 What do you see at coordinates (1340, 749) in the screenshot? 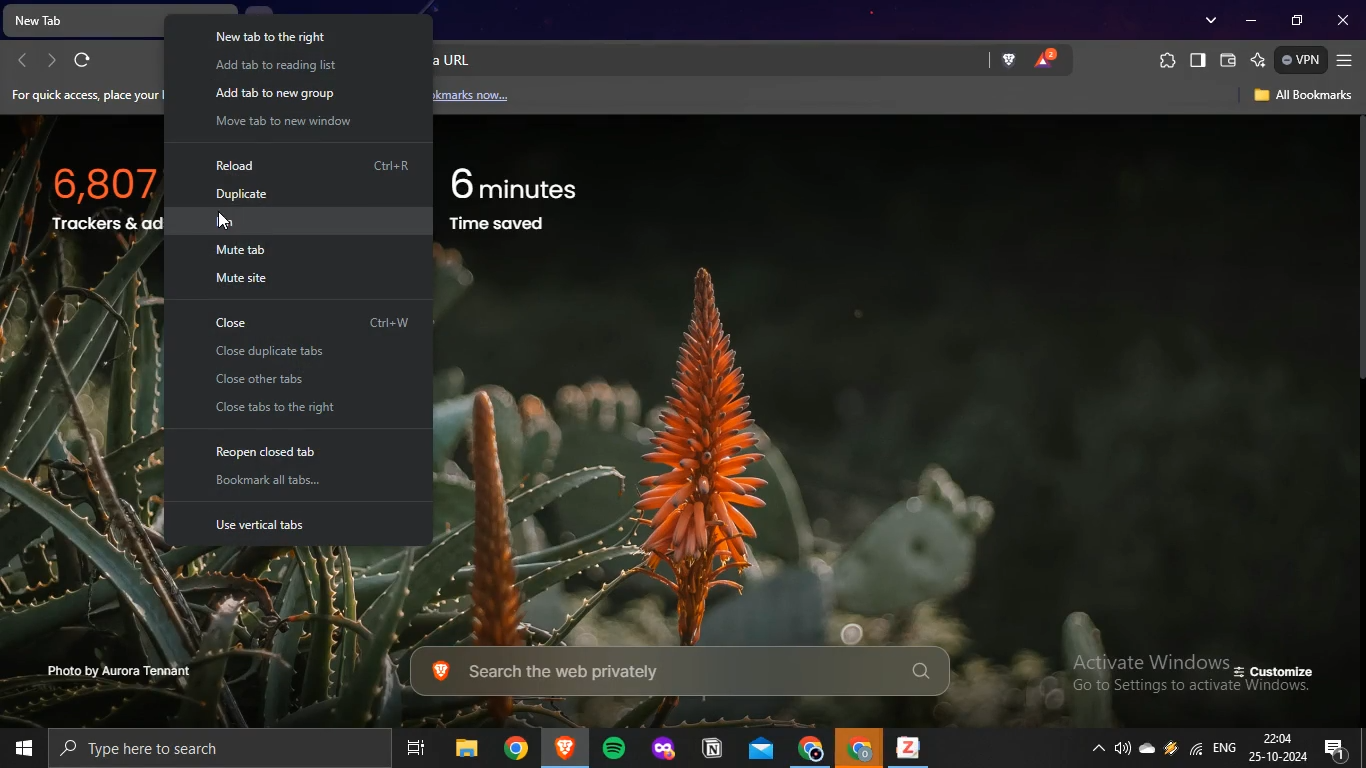
I see `notifications` at bounding box center [1340, 749].